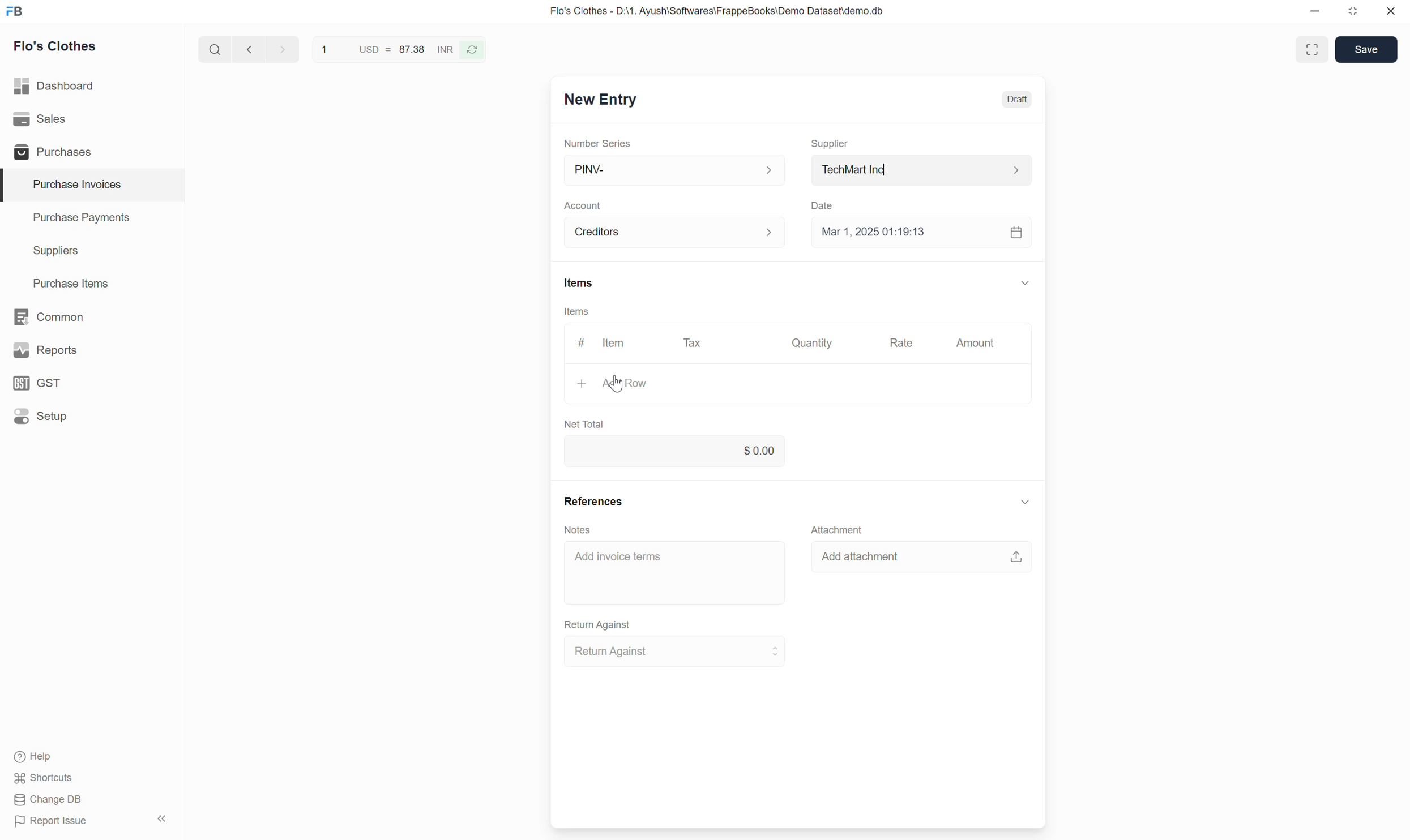 The image size is (1410, 840). Describe the element at coordinates (80, 220) in the screenshot. I see `Purchase Payments` at that location.